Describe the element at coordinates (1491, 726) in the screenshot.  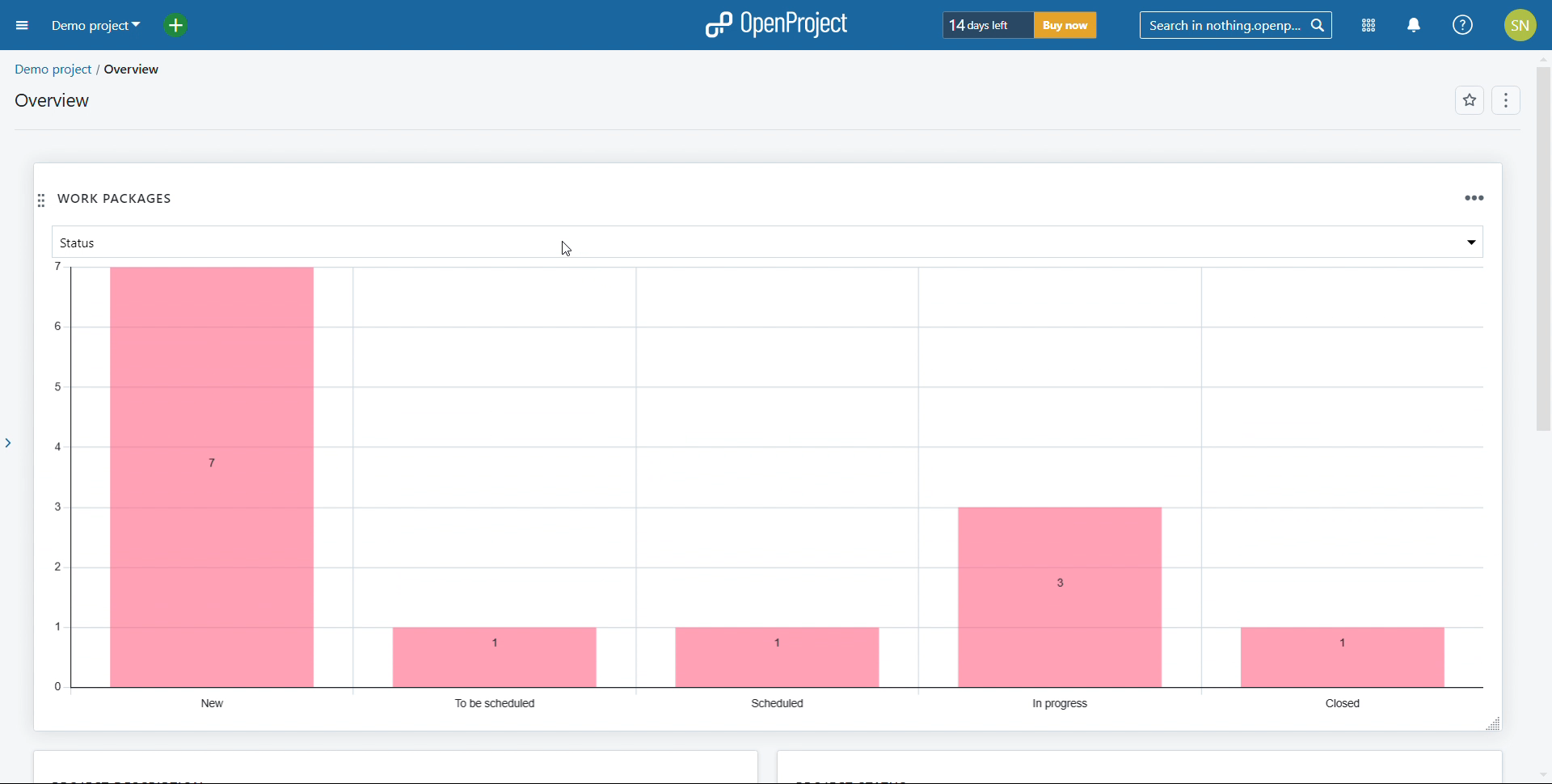
I see `resize` at that location.